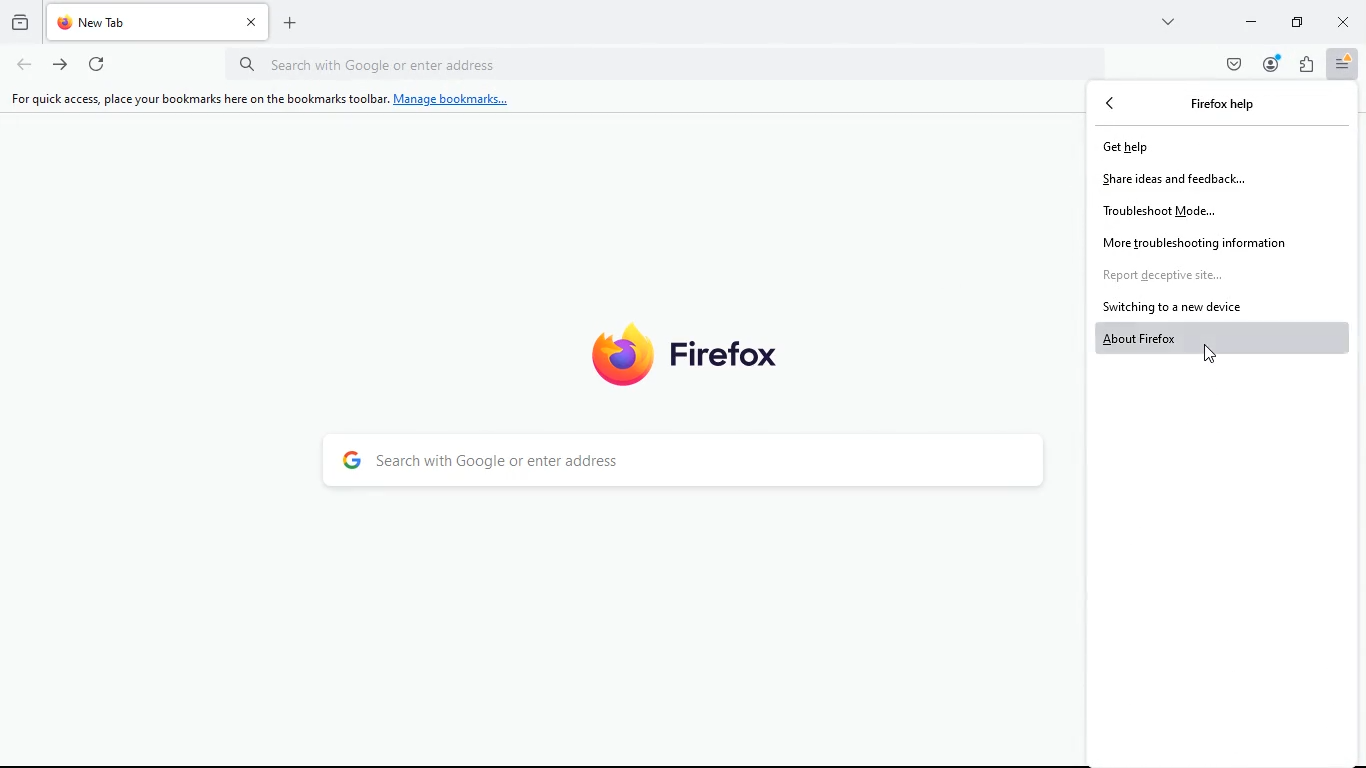 Image resolution: width=1366 pixels, height=768 pixels. What do you see at coordinates (1235, 64) in the screenshot?
I see `pocket` at bounding box center [1235, 64].